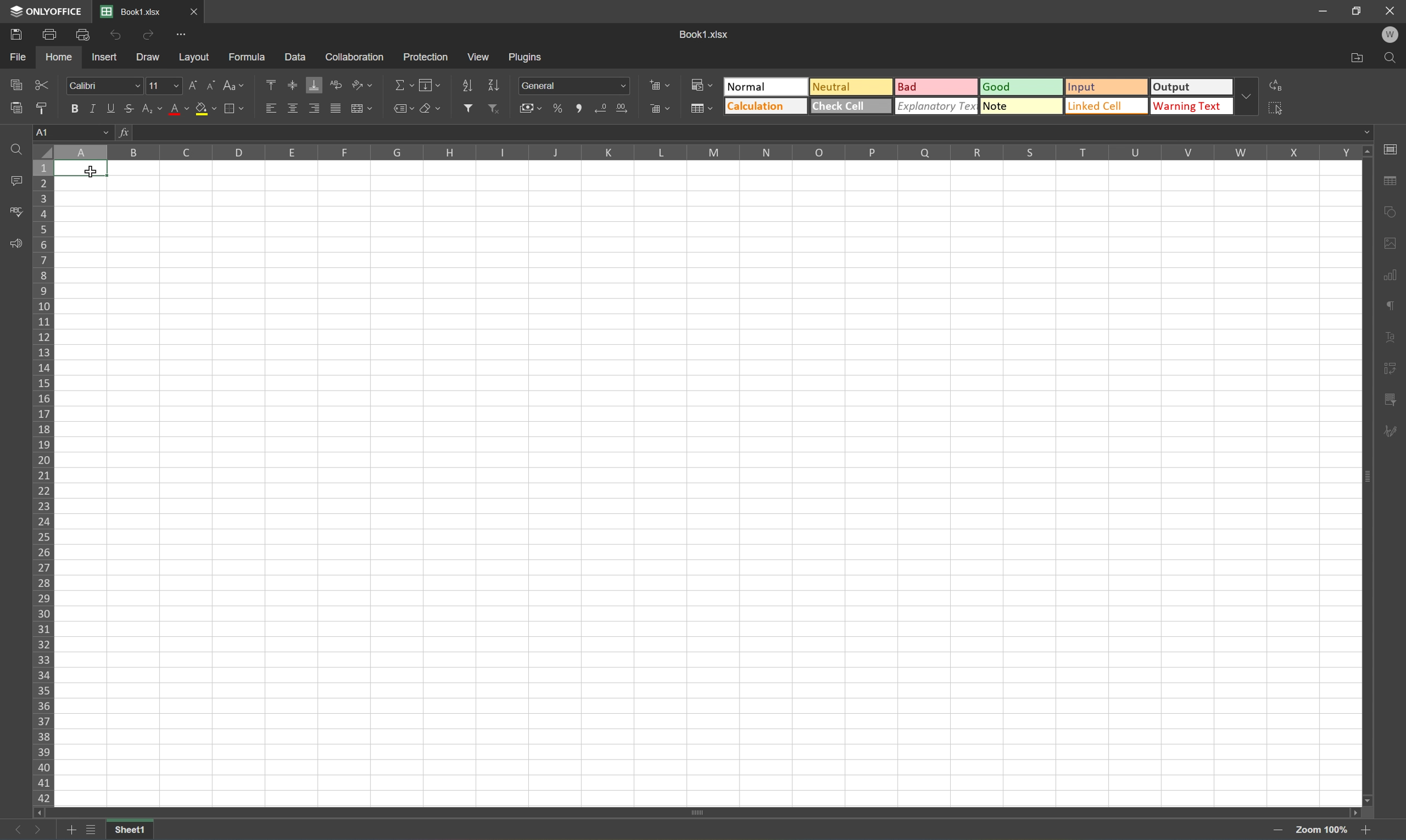 The width and height of the screenshot is (1406, 840). Describe the element at coordinates (178, 109) in the screenshot. I see `Font color` at that location.